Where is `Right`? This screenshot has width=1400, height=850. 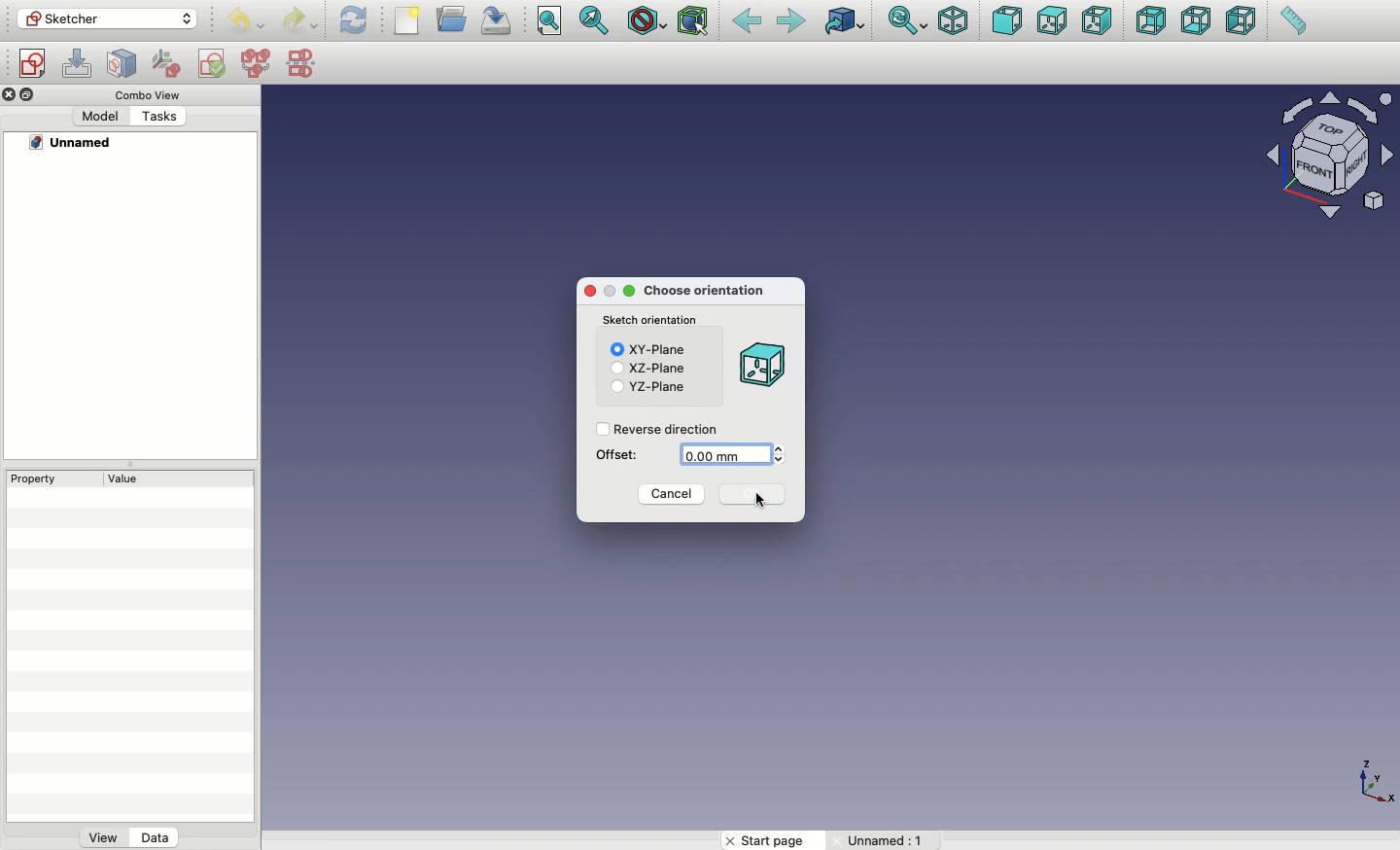 Right is located at coordinates (1098, 22).